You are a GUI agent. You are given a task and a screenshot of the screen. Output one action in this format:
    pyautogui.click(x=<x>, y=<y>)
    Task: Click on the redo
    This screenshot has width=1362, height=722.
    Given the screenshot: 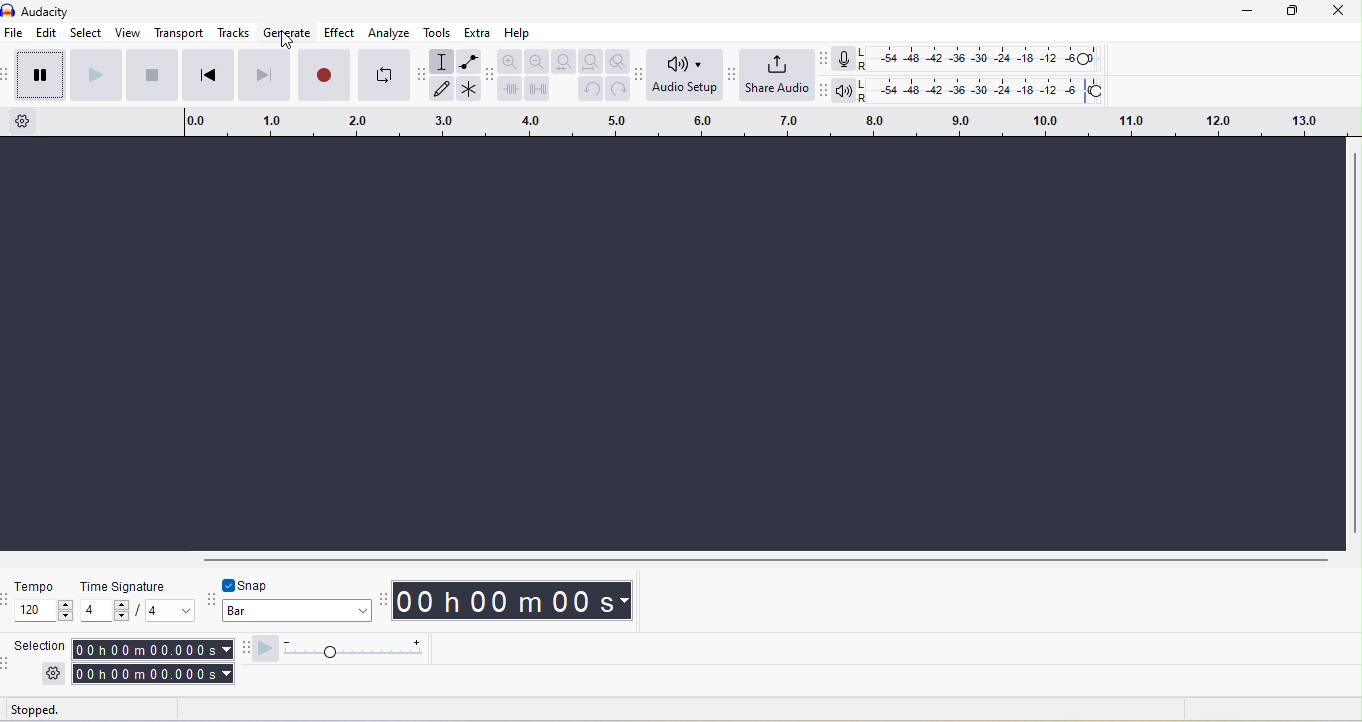 What is the action you would take?
    pyautogui.click(x=619, y=89)
    